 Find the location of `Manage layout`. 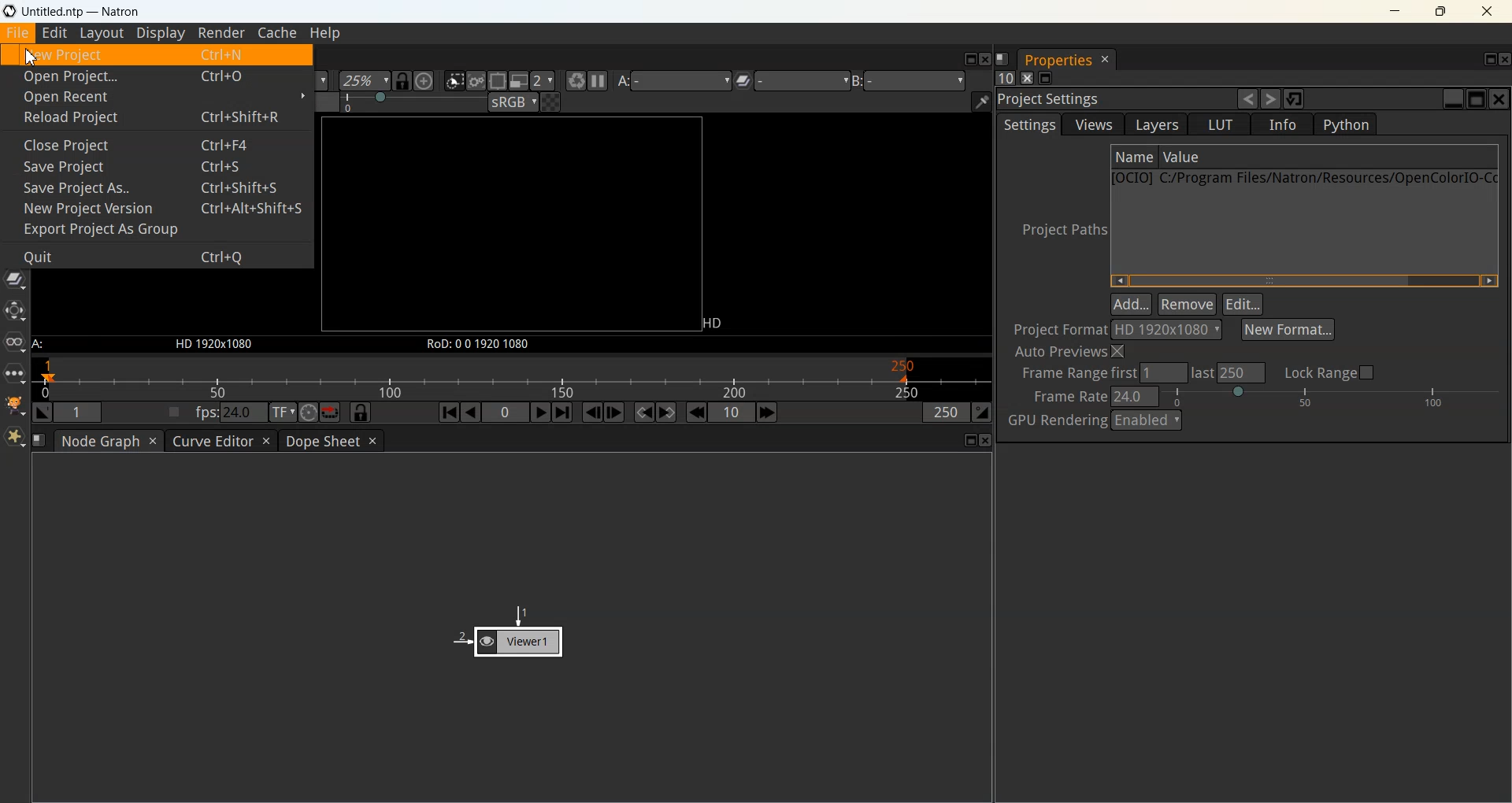

Manage layout is located at coordinates (1002, 58).